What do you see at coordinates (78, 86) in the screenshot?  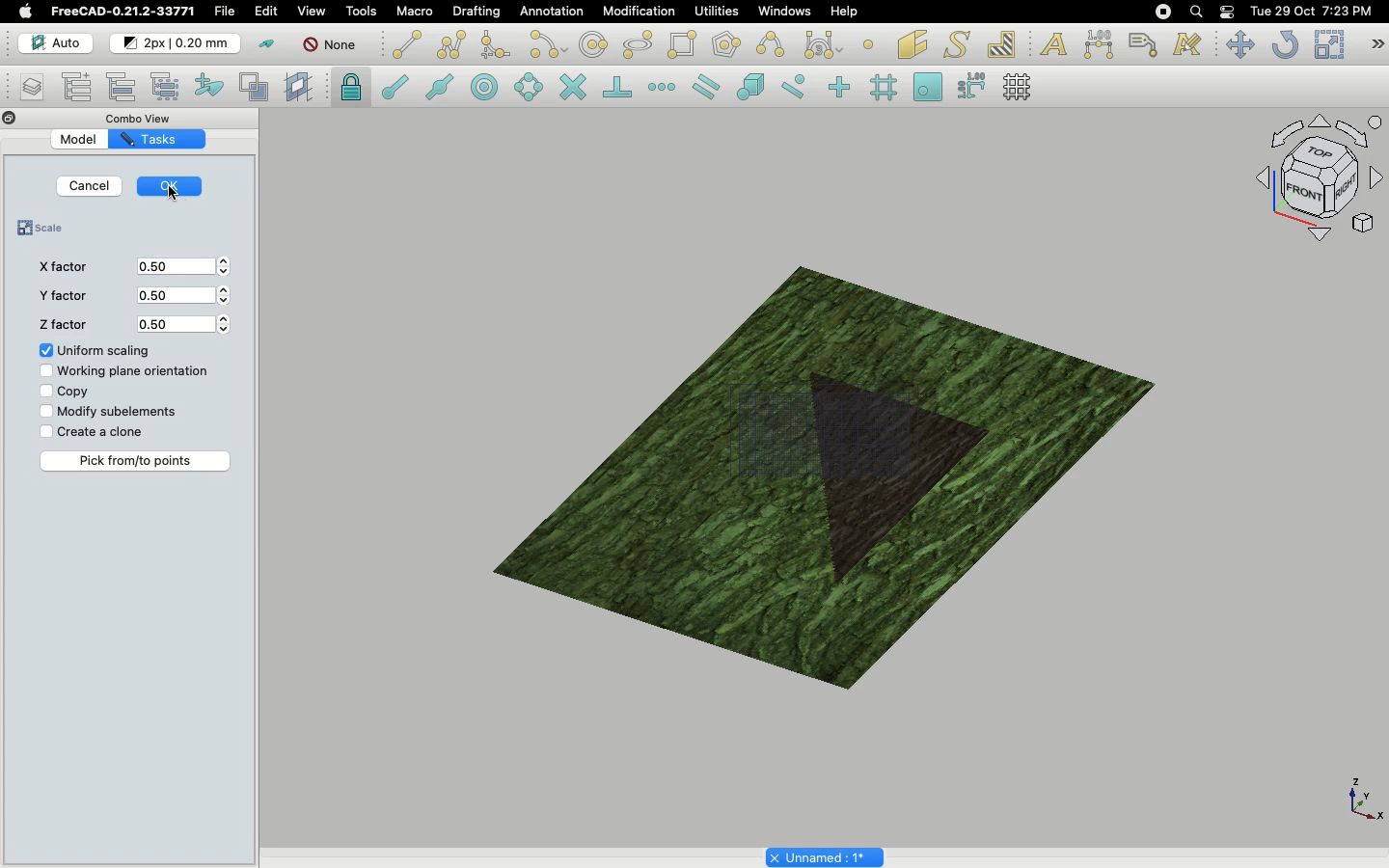 I see `Add new named group` at bounding box center [78, 86].